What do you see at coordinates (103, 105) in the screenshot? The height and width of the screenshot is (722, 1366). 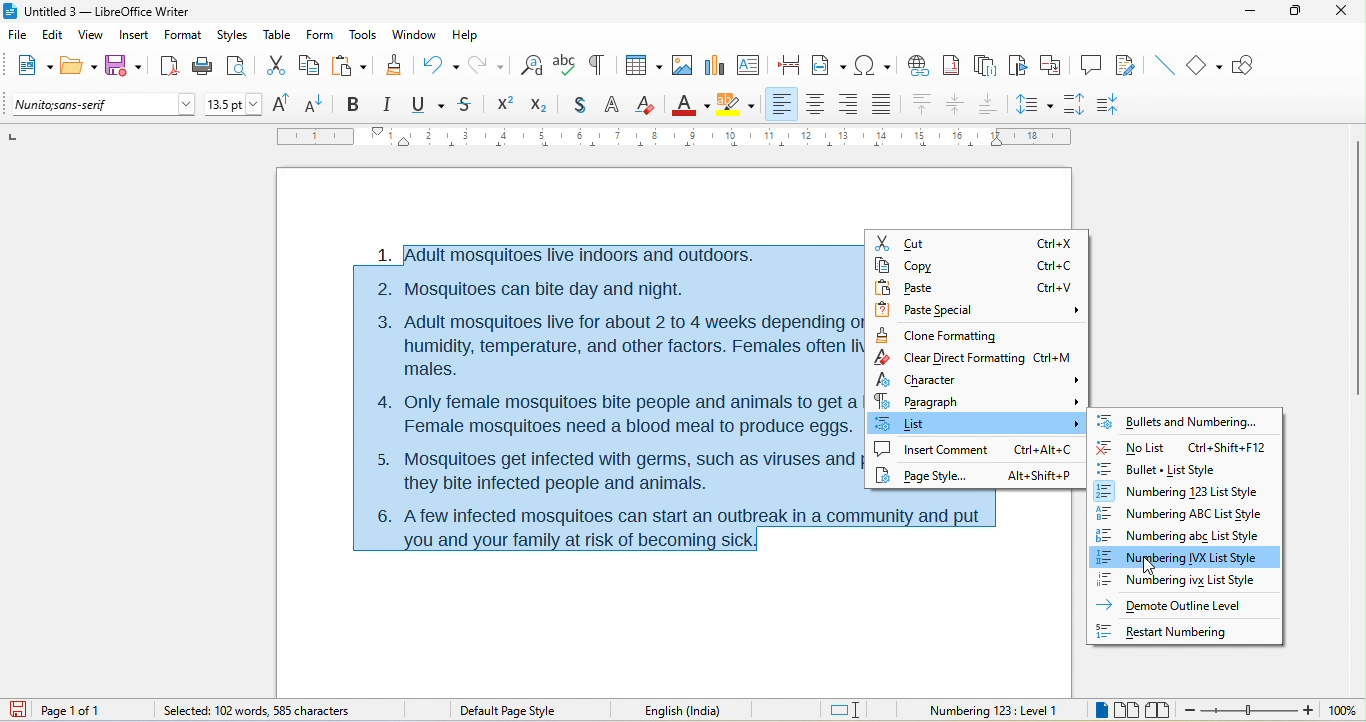 I see `font name` at bounding box center [103, 105].